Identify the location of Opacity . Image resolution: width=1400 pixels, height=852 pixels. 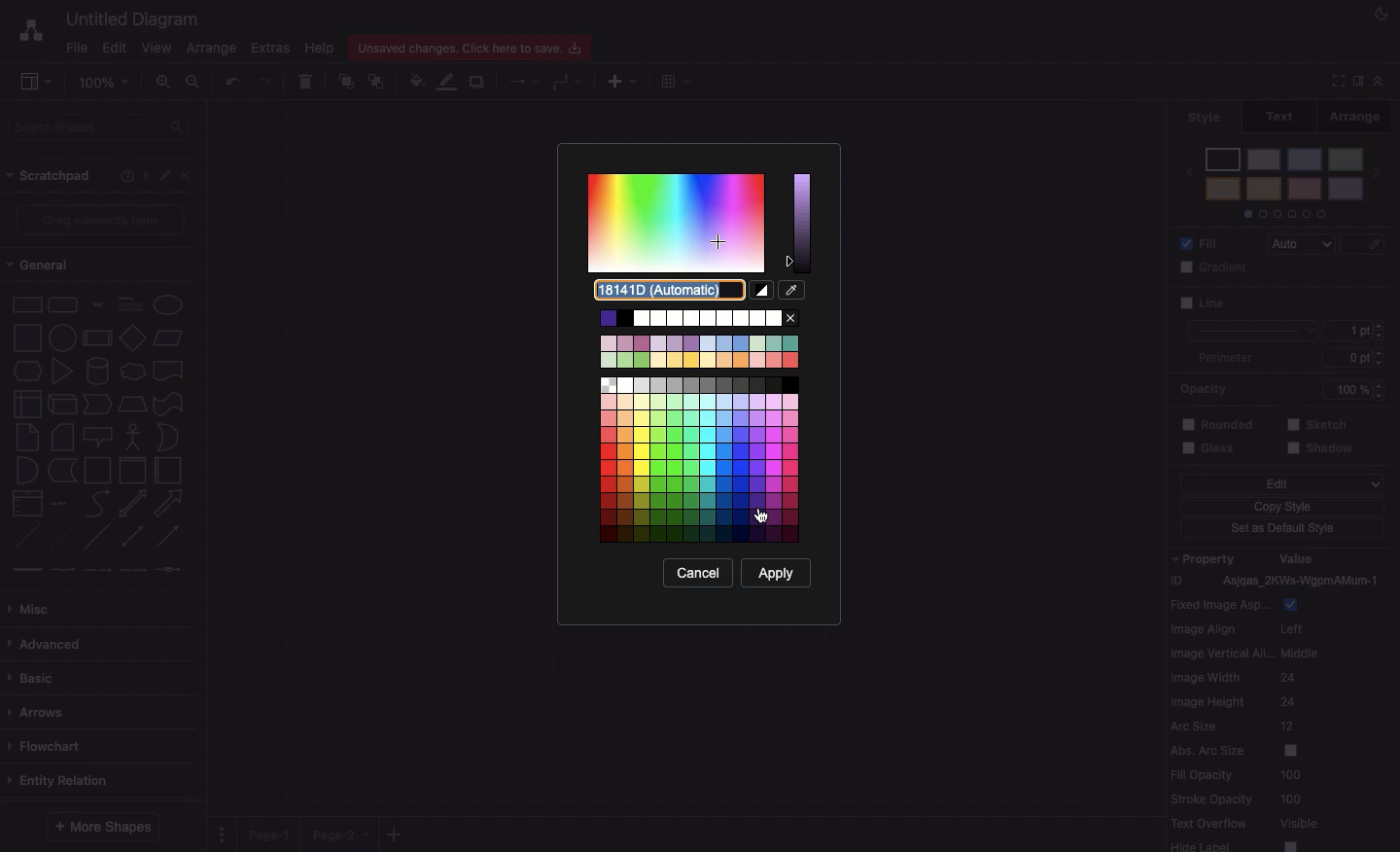
(1287, 388).